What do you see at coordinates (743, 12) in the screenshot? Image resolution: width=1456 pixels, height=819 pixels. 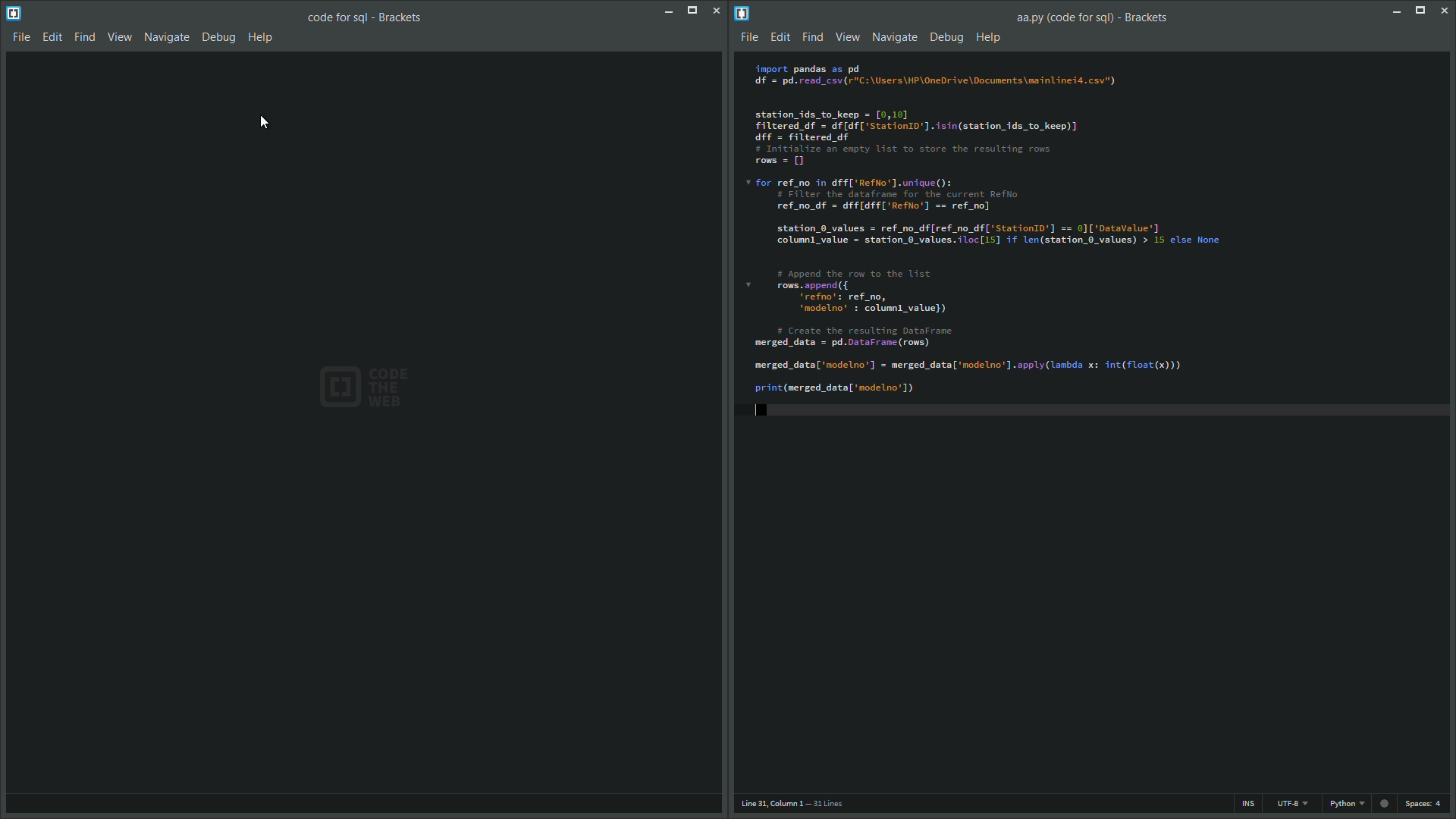 I see `logo` at bounding box center [743, 12].